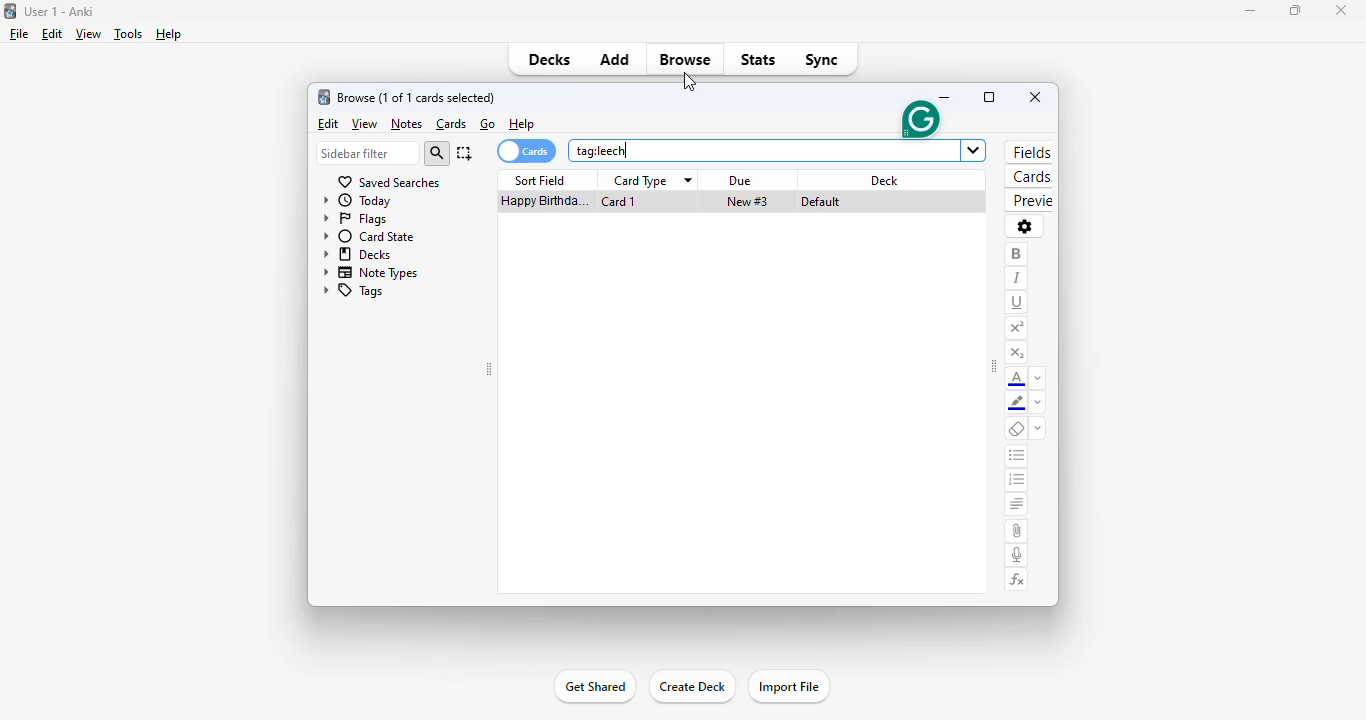  Describe the element at coordinates (357, 254) in the screenshot. I see `decks` at that location.